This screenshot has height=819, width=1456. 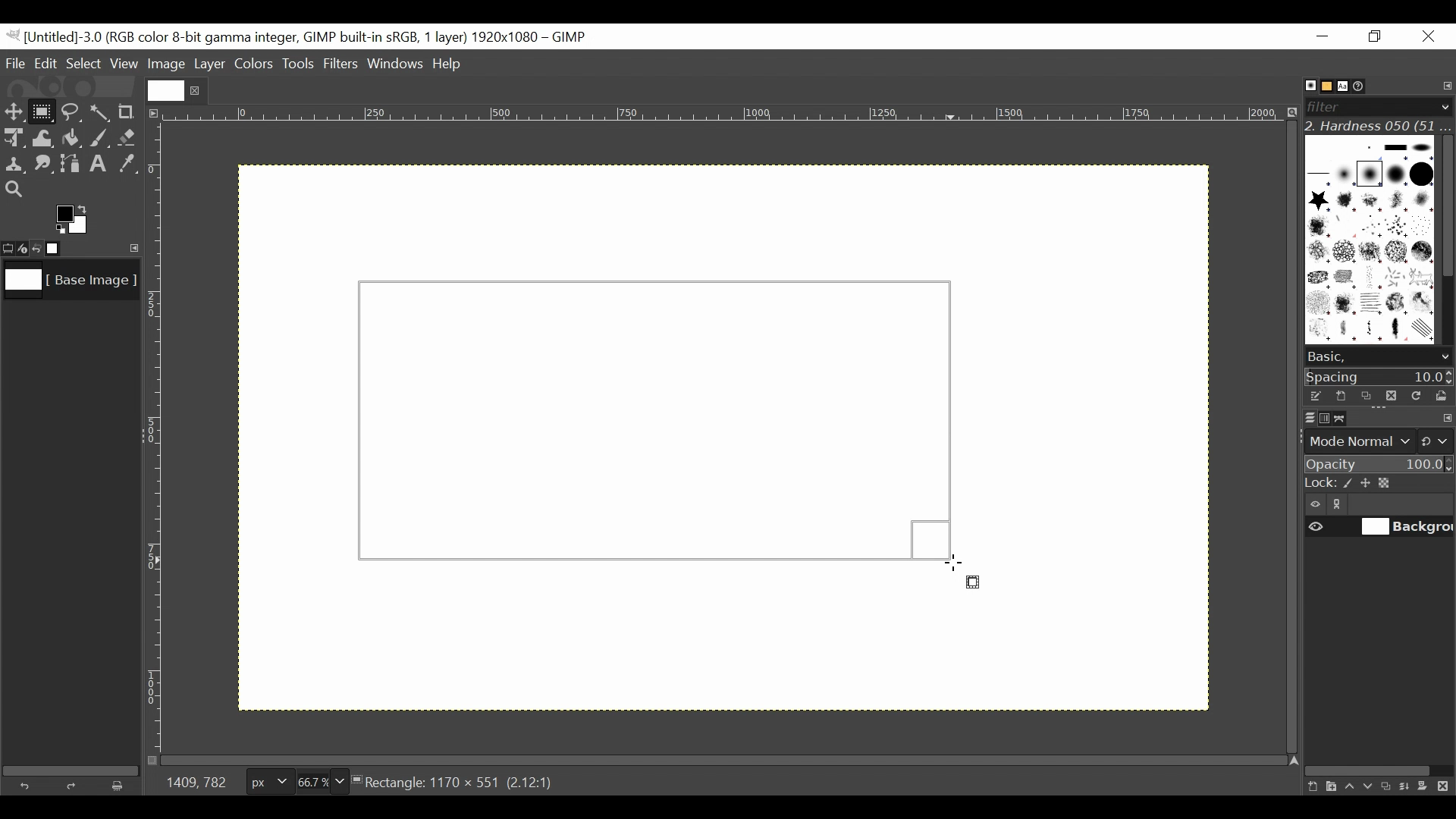 I want to click on Item visibility, so click(x=1316, y=505).